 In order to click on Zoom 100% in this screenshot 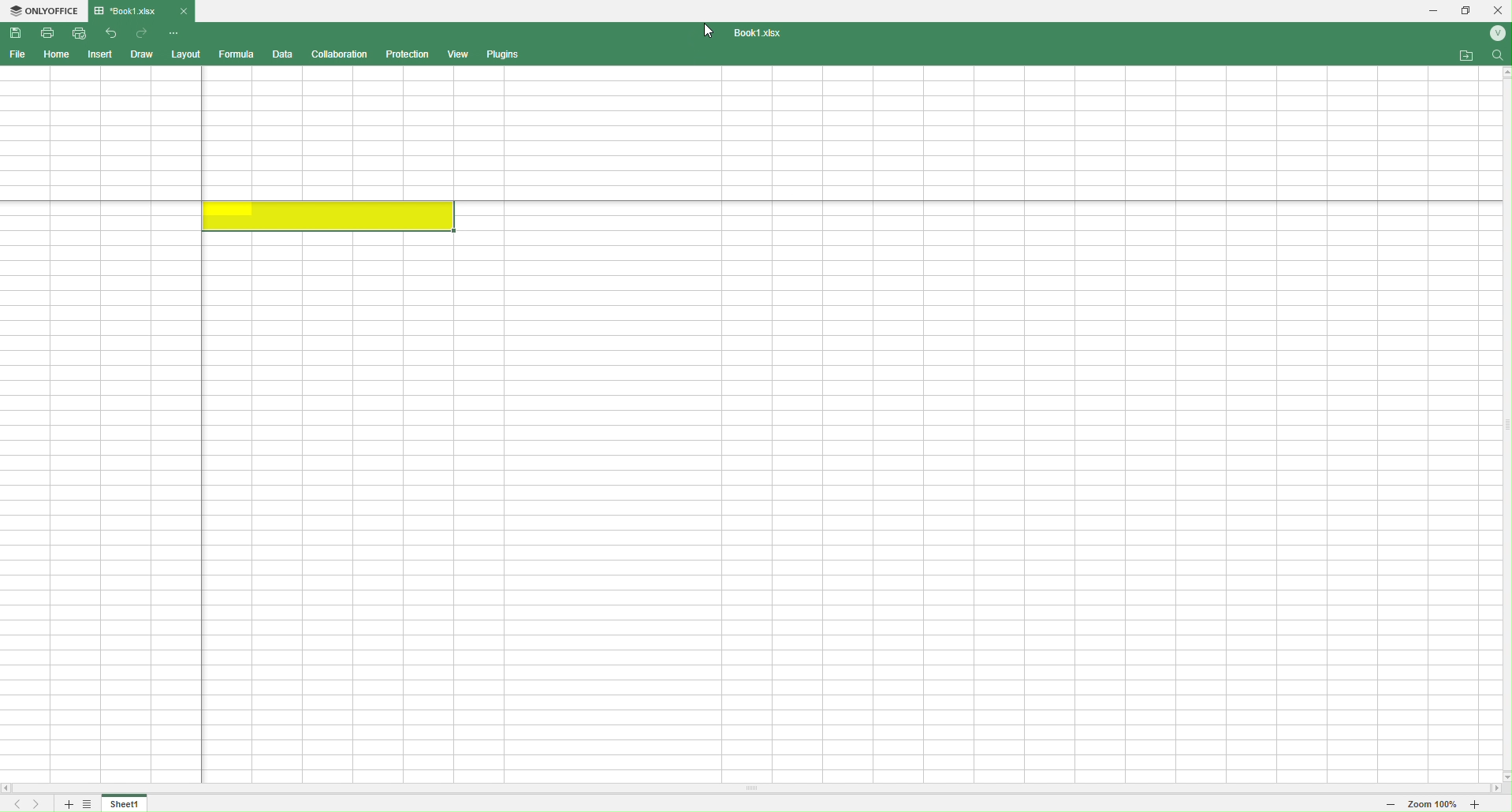, I will do `click(1432, 806)`.